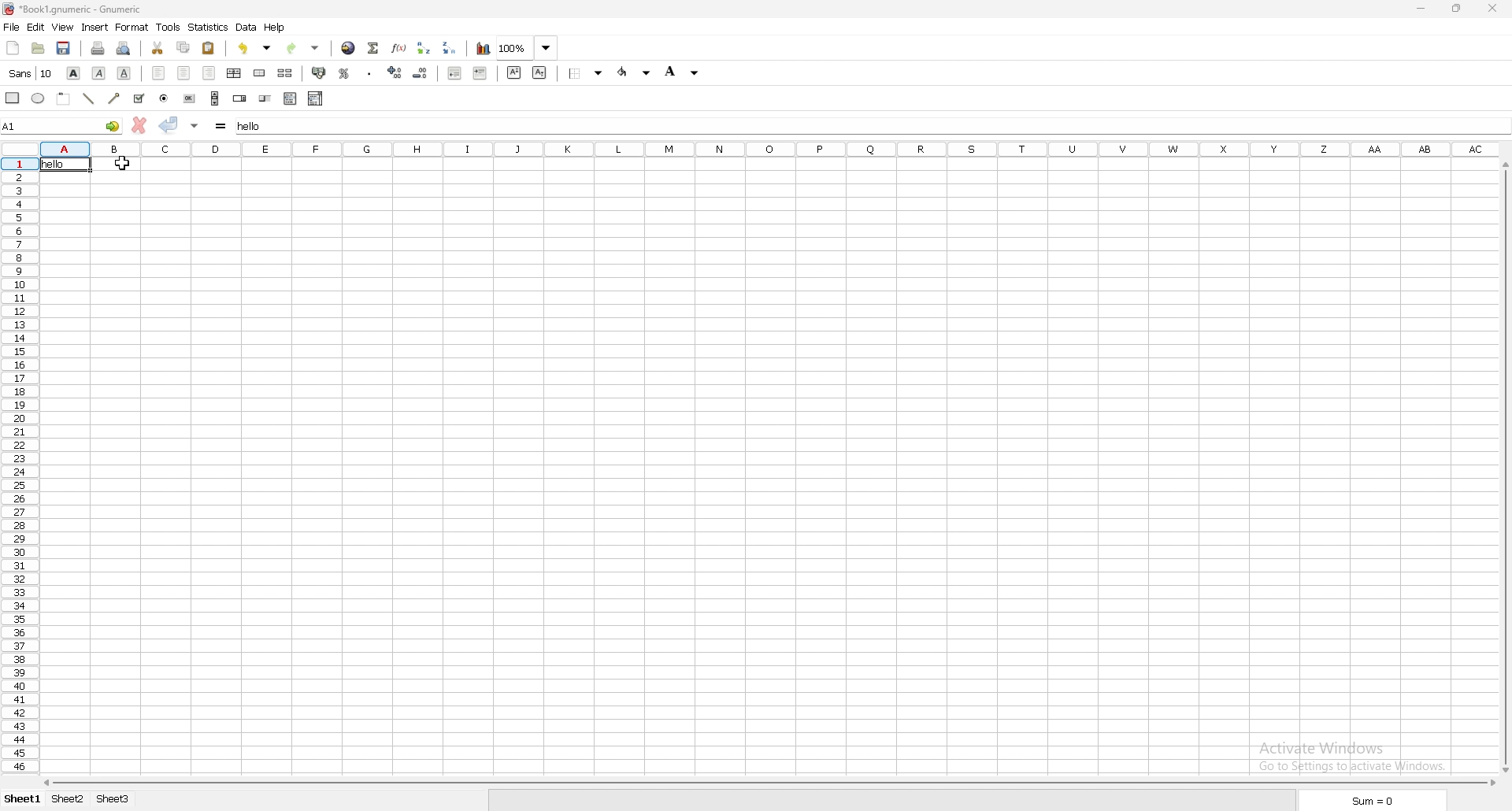 The width and height of the screenshot is (1512, 811). Describe the element at coordinates (13, 98) in the screenshot. I see `create rectangle` at that location.